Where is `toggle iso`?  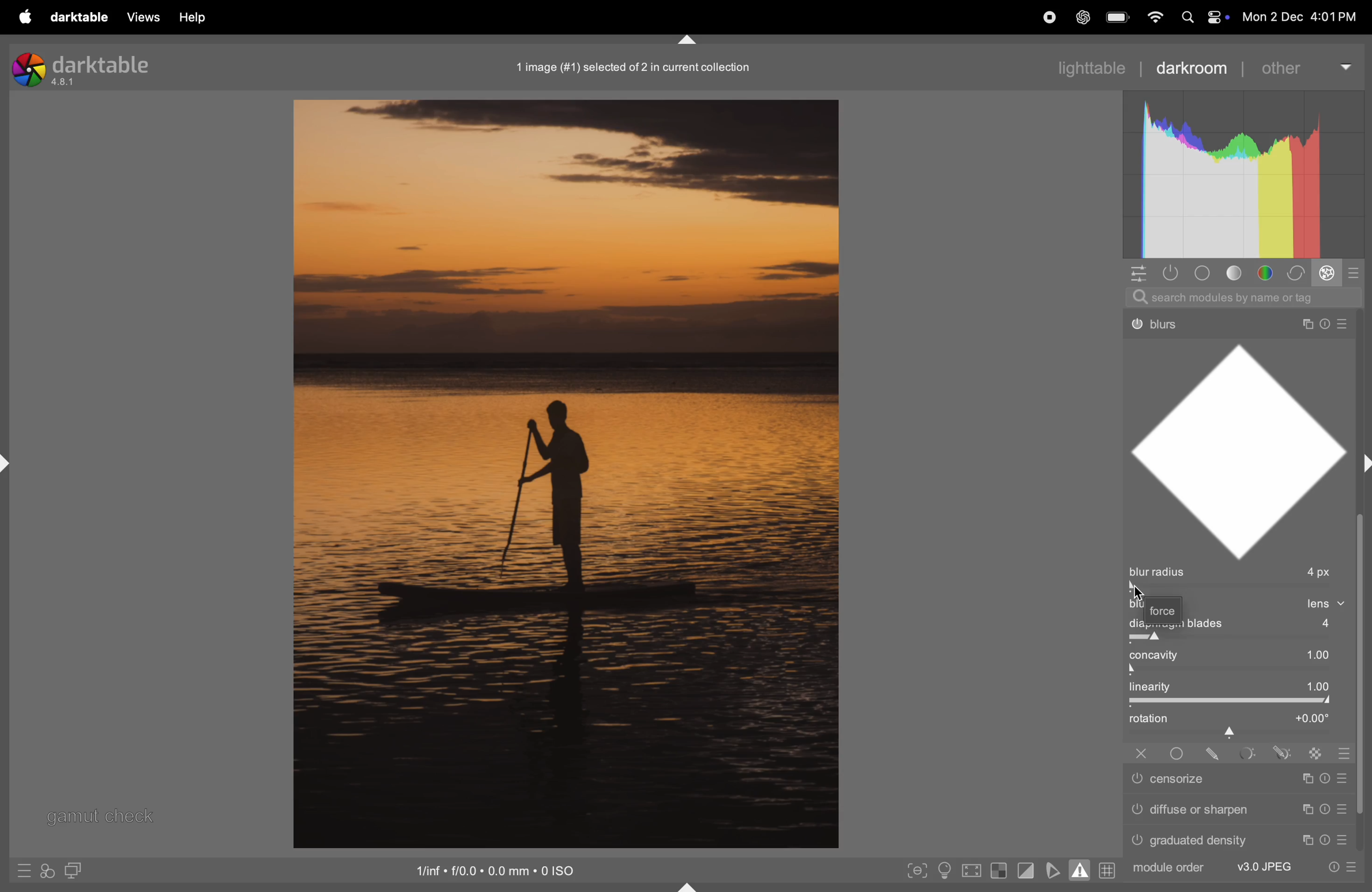 toggle iso is located at coordinates (943, 872).